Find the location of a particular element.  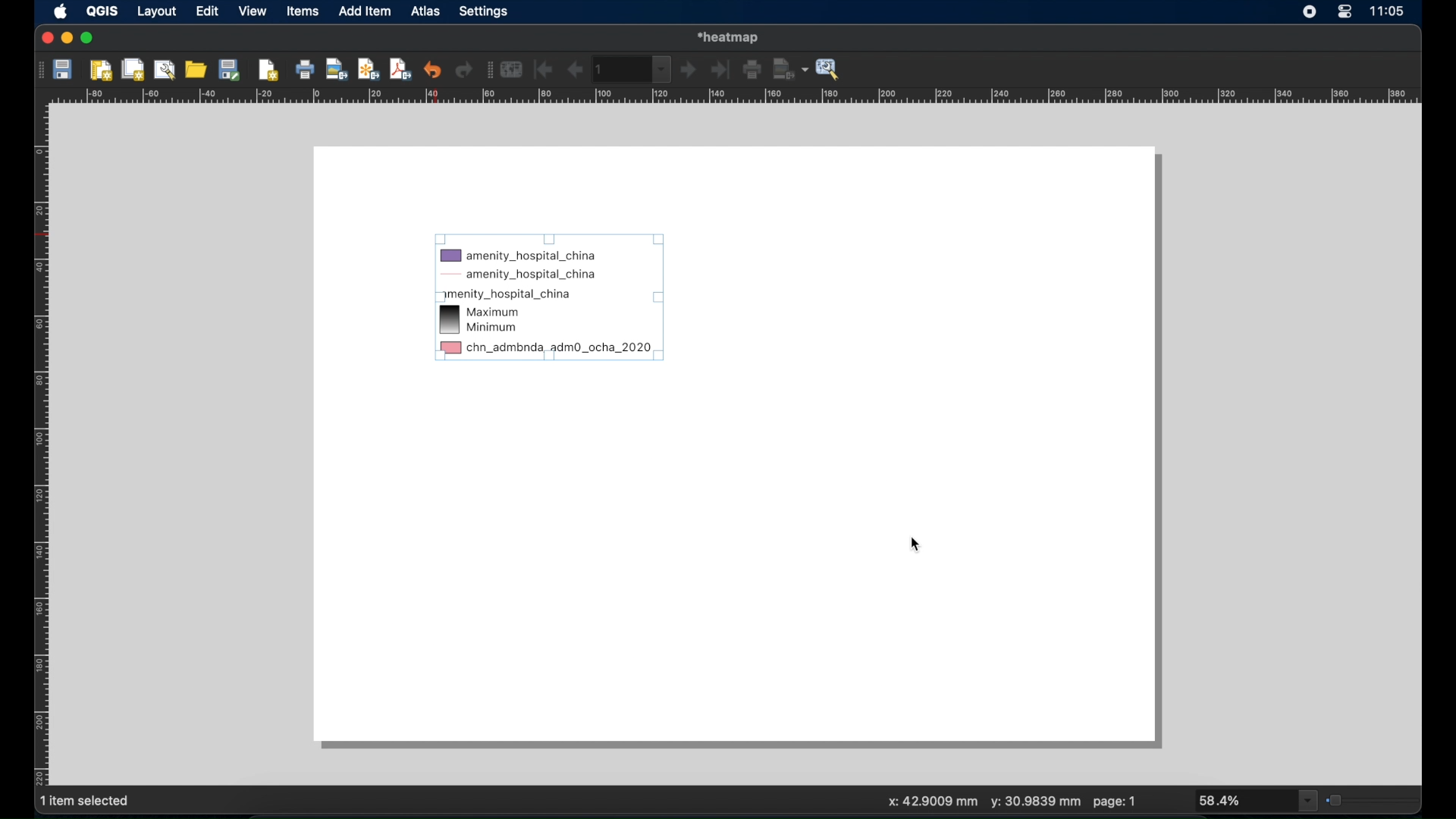

legend is located at coordinates (552, 297).